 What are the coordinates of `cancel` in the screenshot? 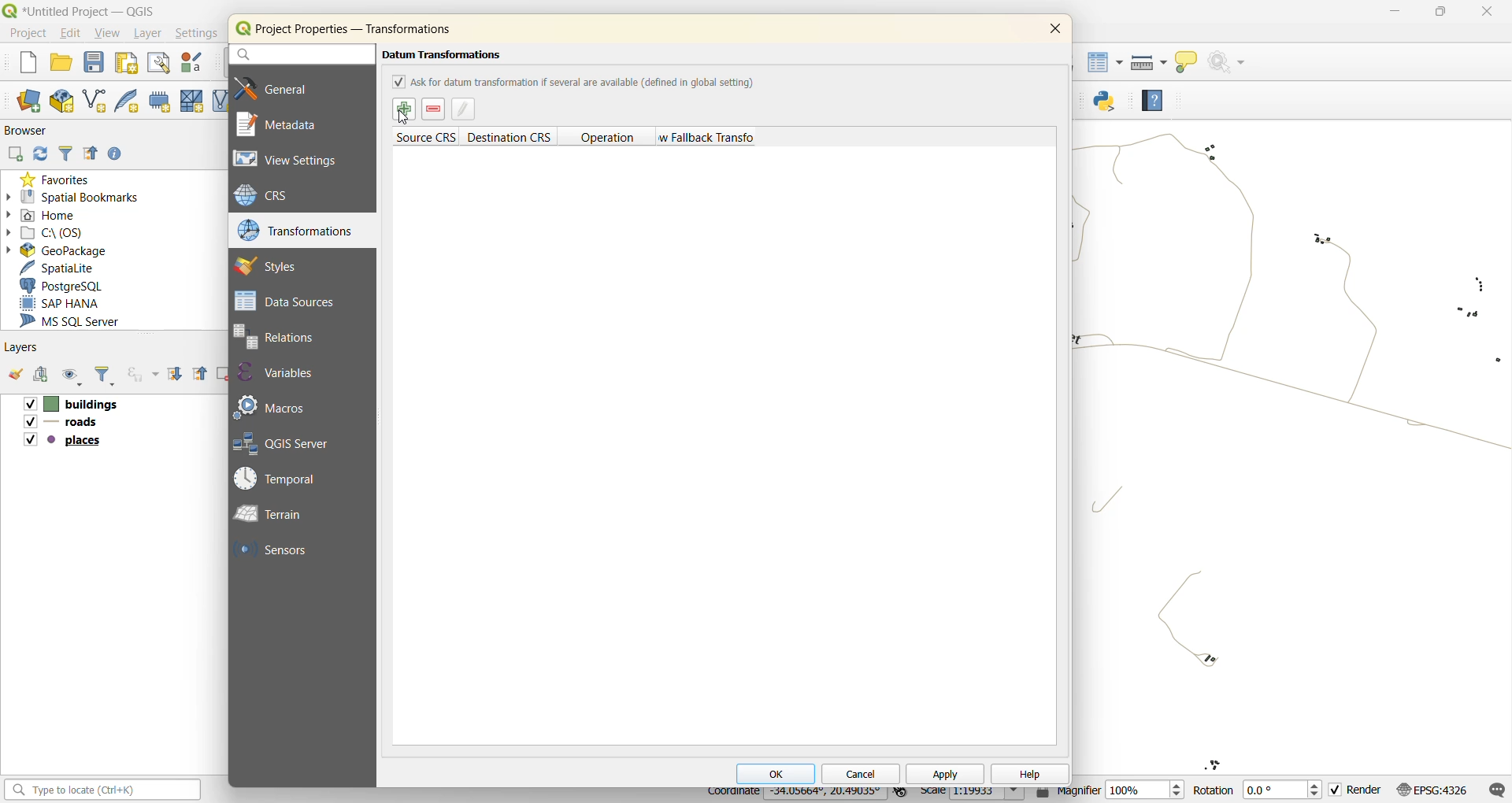 It's located at (860, 775).